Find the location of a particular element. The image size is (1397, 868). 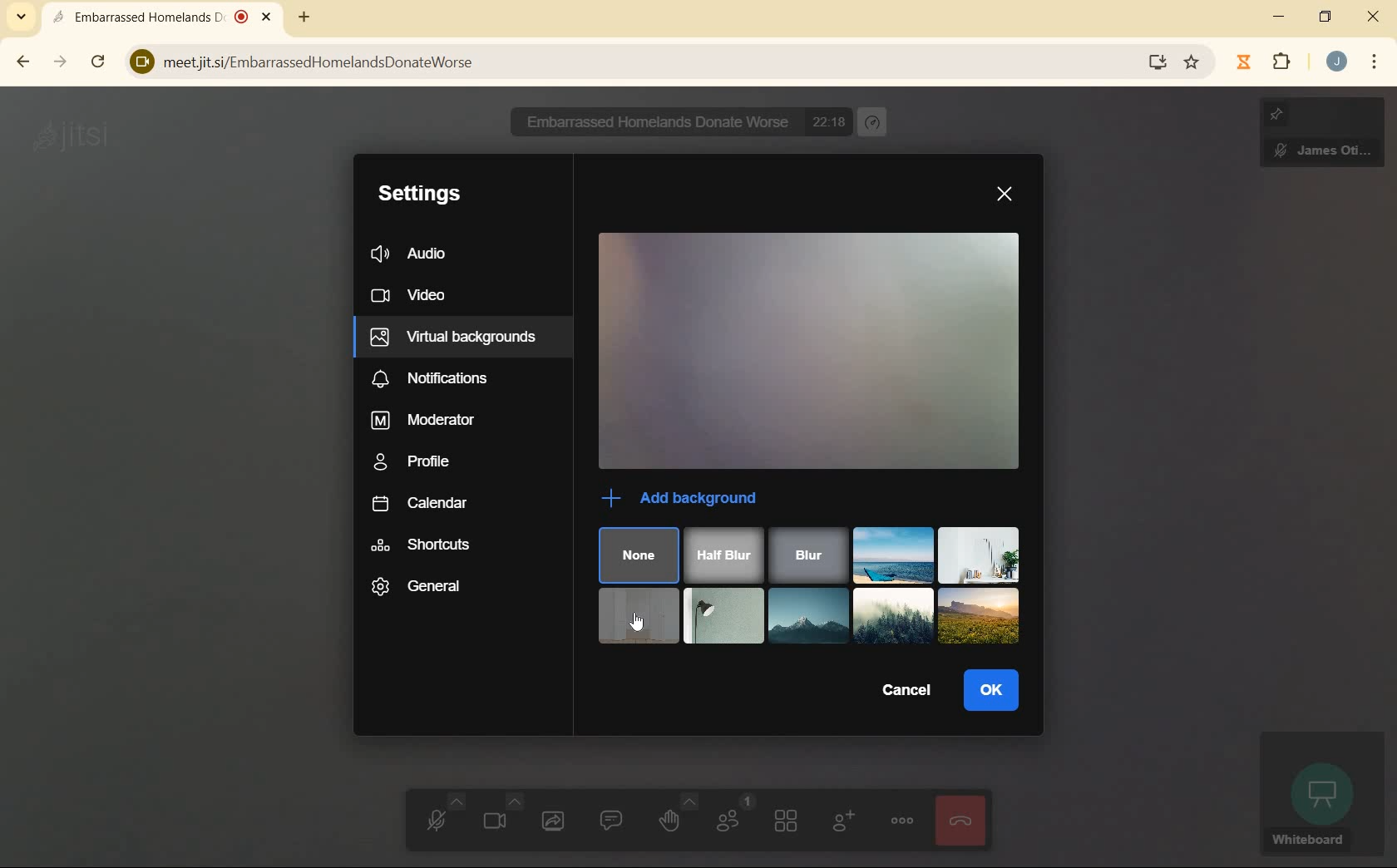

general is located at coordinates (432, 588).